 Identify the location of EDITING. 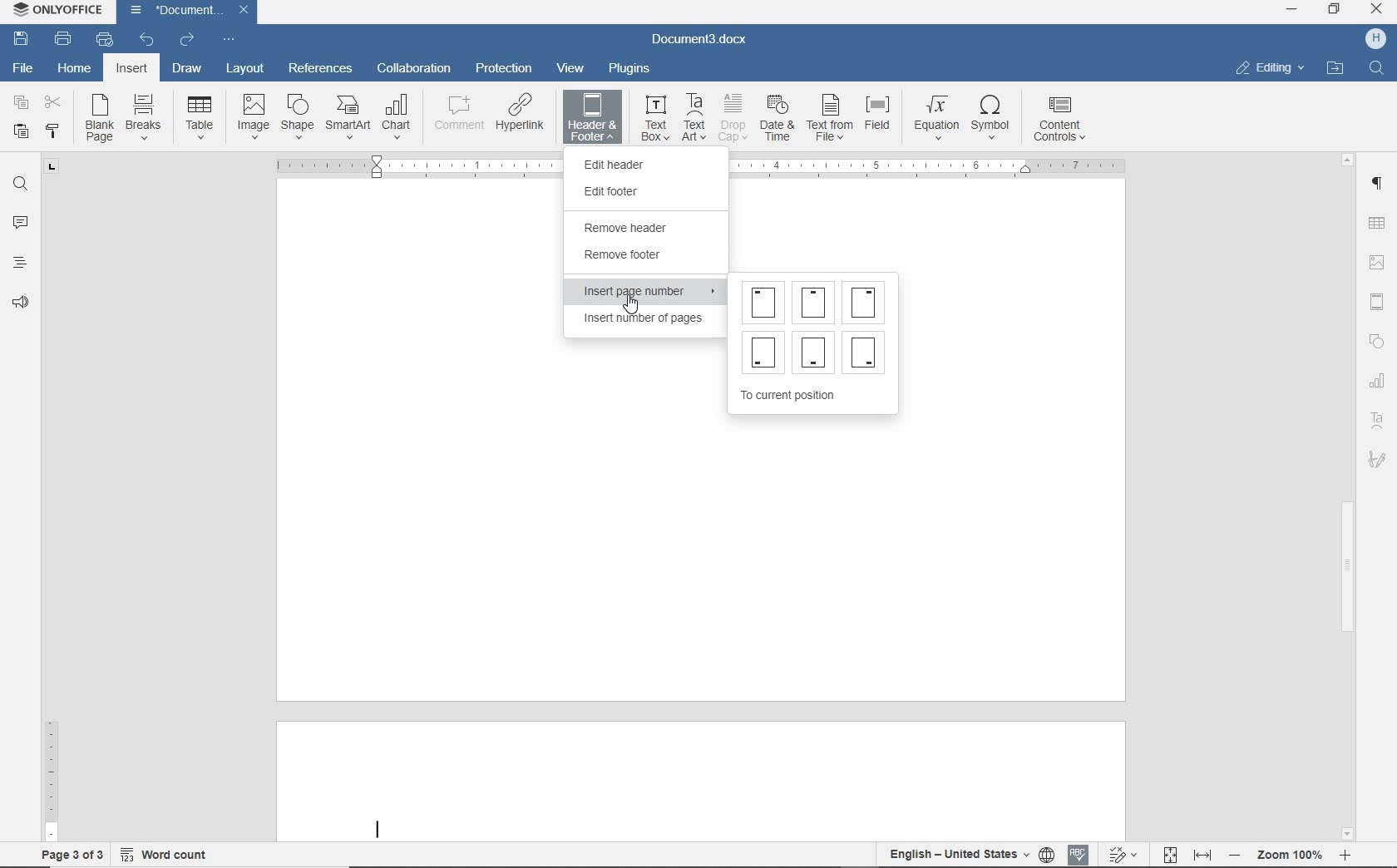
(1269, 69).